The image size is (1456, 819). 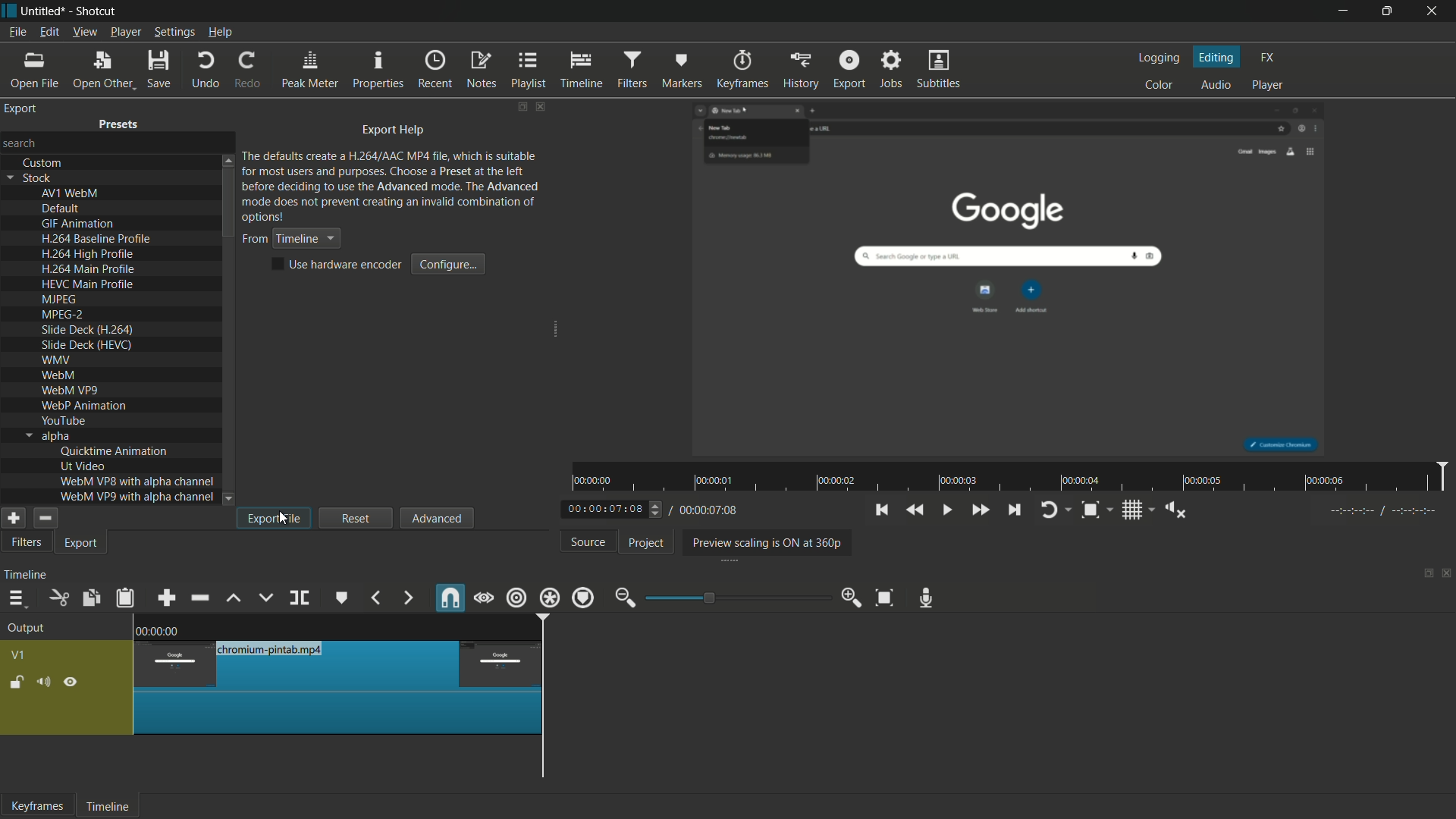 I want to click on toggle play or pause, so click(x=946, y=509).